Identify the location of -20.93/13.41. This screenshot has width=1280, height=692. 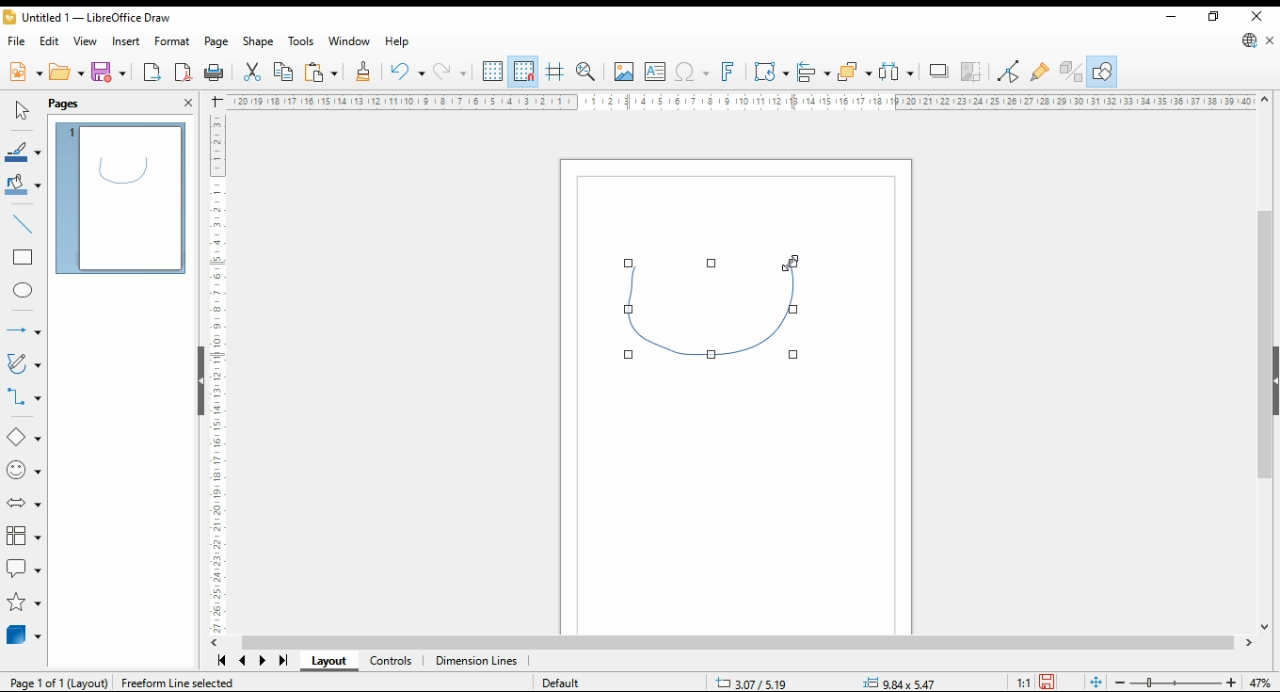
(756, 683).